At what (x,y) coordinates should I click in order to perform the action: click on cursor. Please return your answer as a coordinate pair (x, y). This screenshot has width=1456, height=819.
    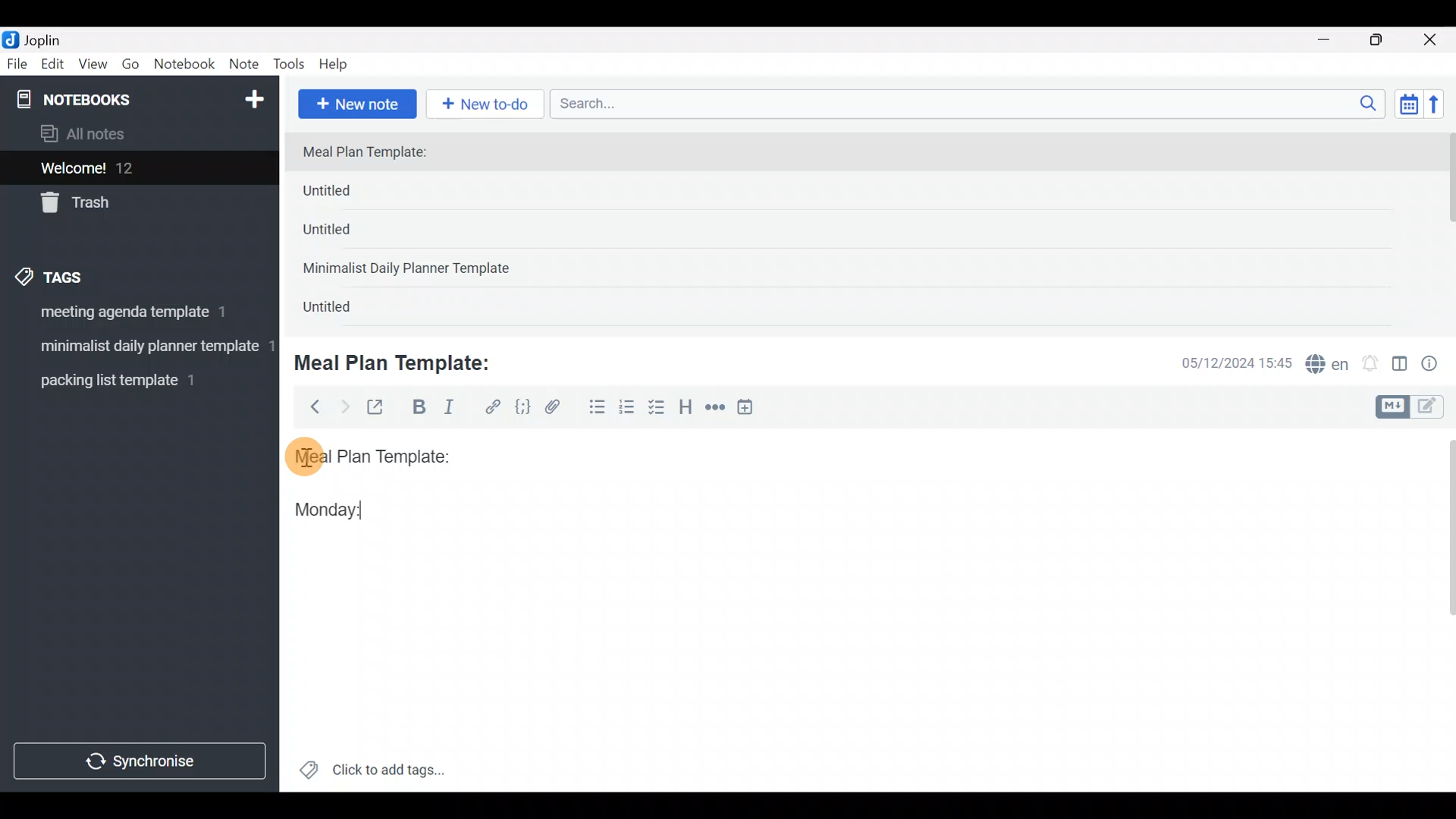
    Looking at the image, I should click on (303, 456).